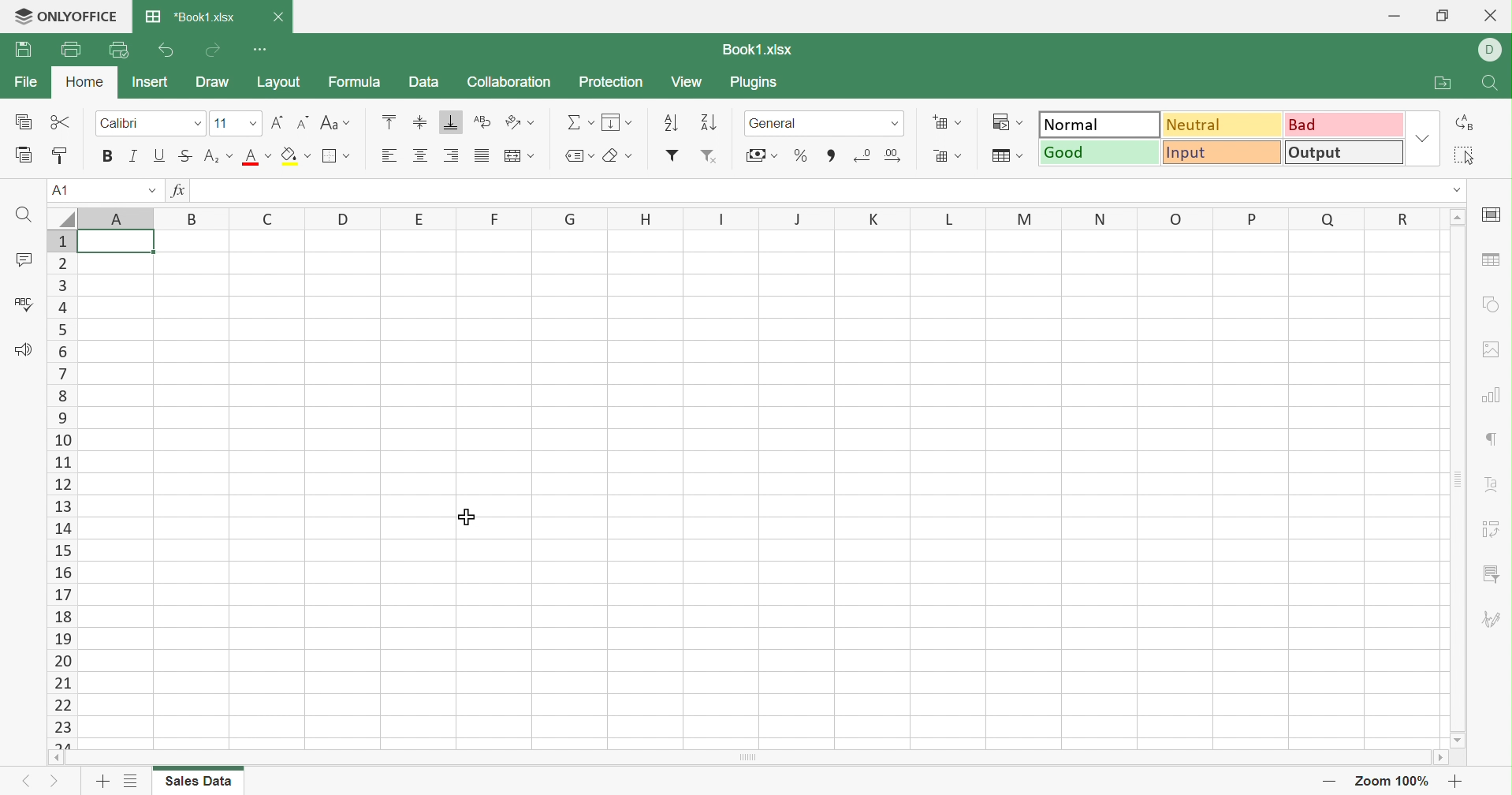  Describe the element at coordinates (133, 155) in the screenshot. I see `Italic` at that location.